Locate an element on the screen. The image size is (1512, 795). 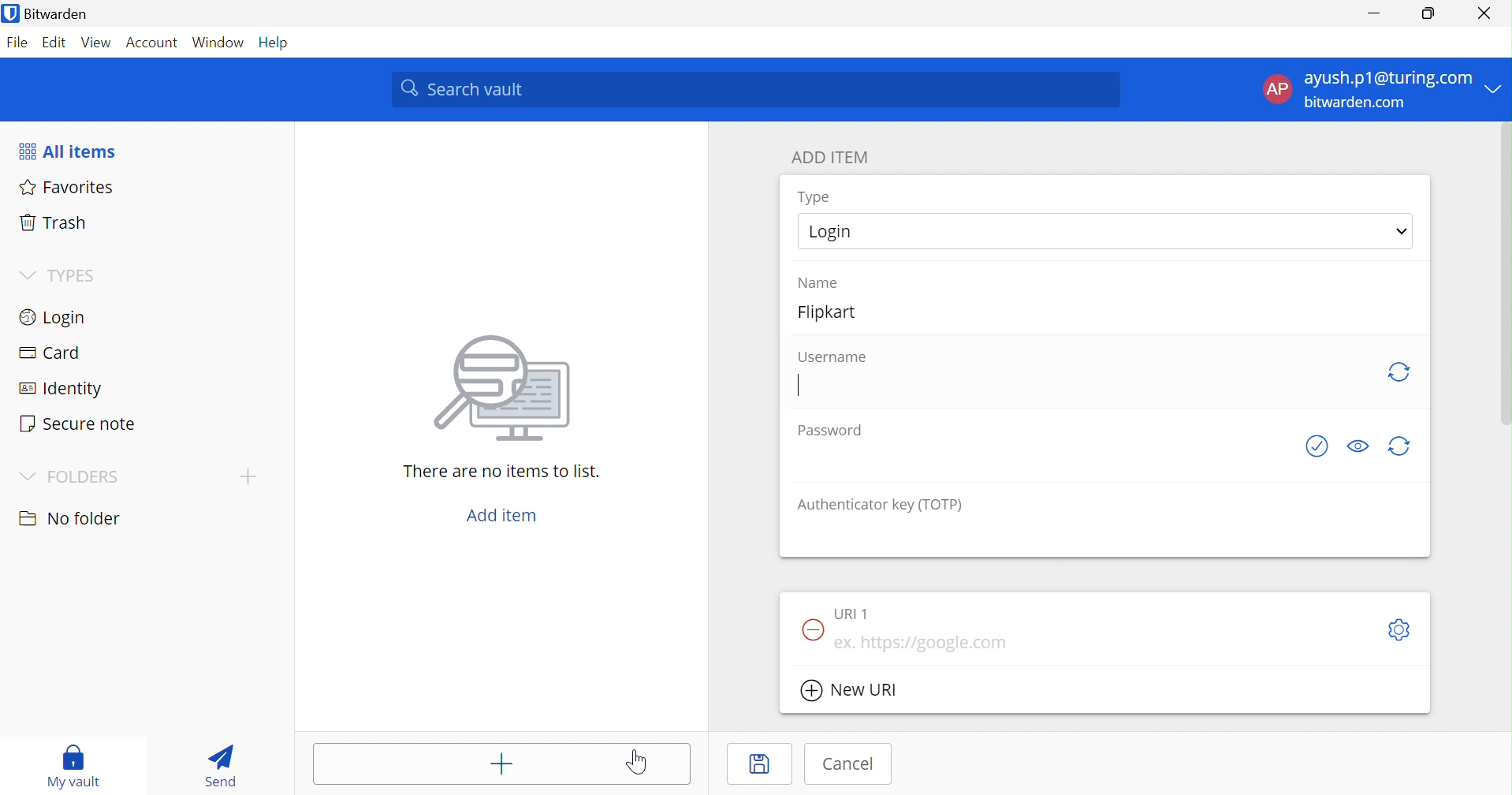
Save is located at coordinates (749, 767).